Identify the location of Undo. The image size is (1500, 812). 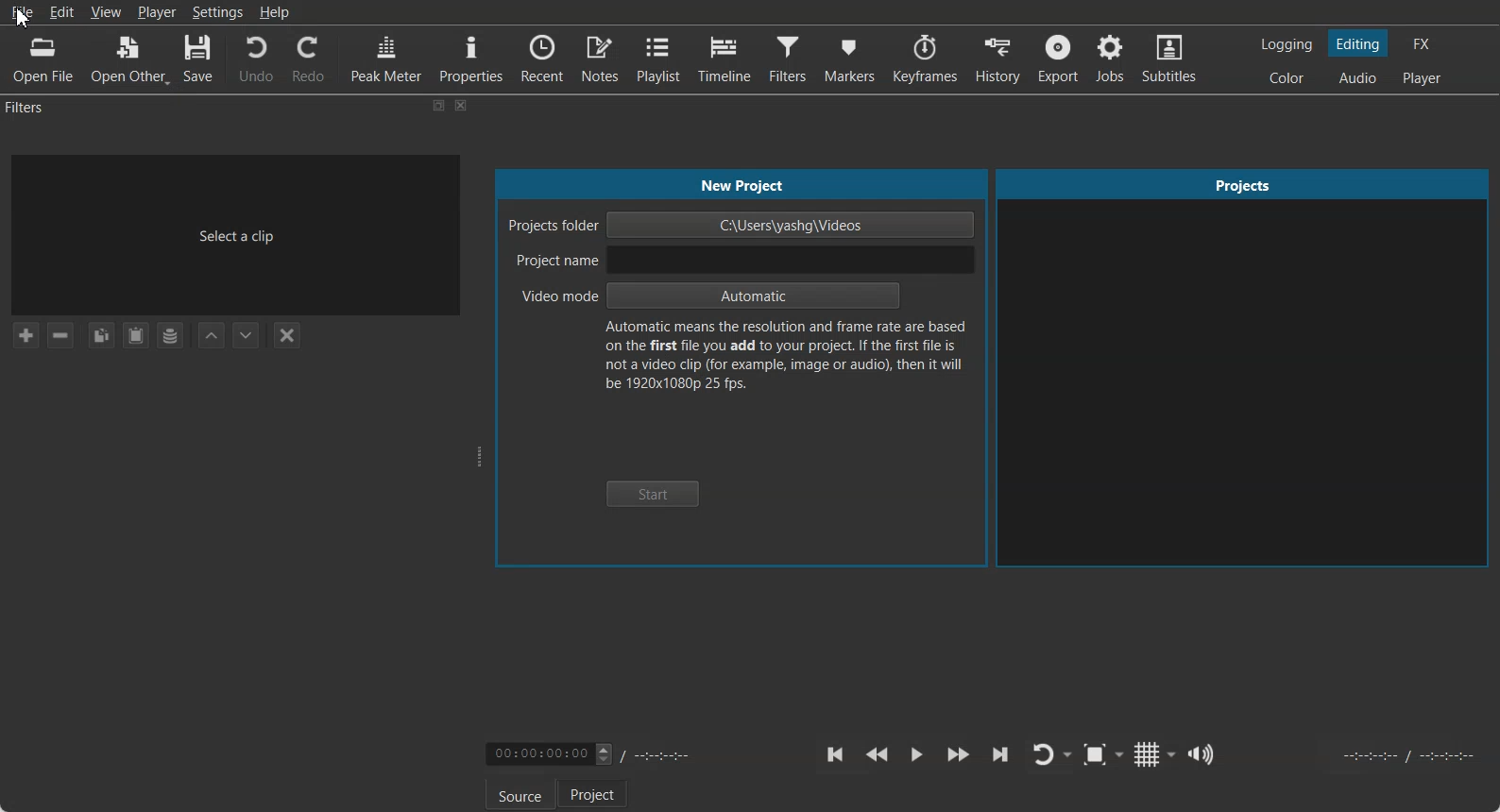
(256, 58).